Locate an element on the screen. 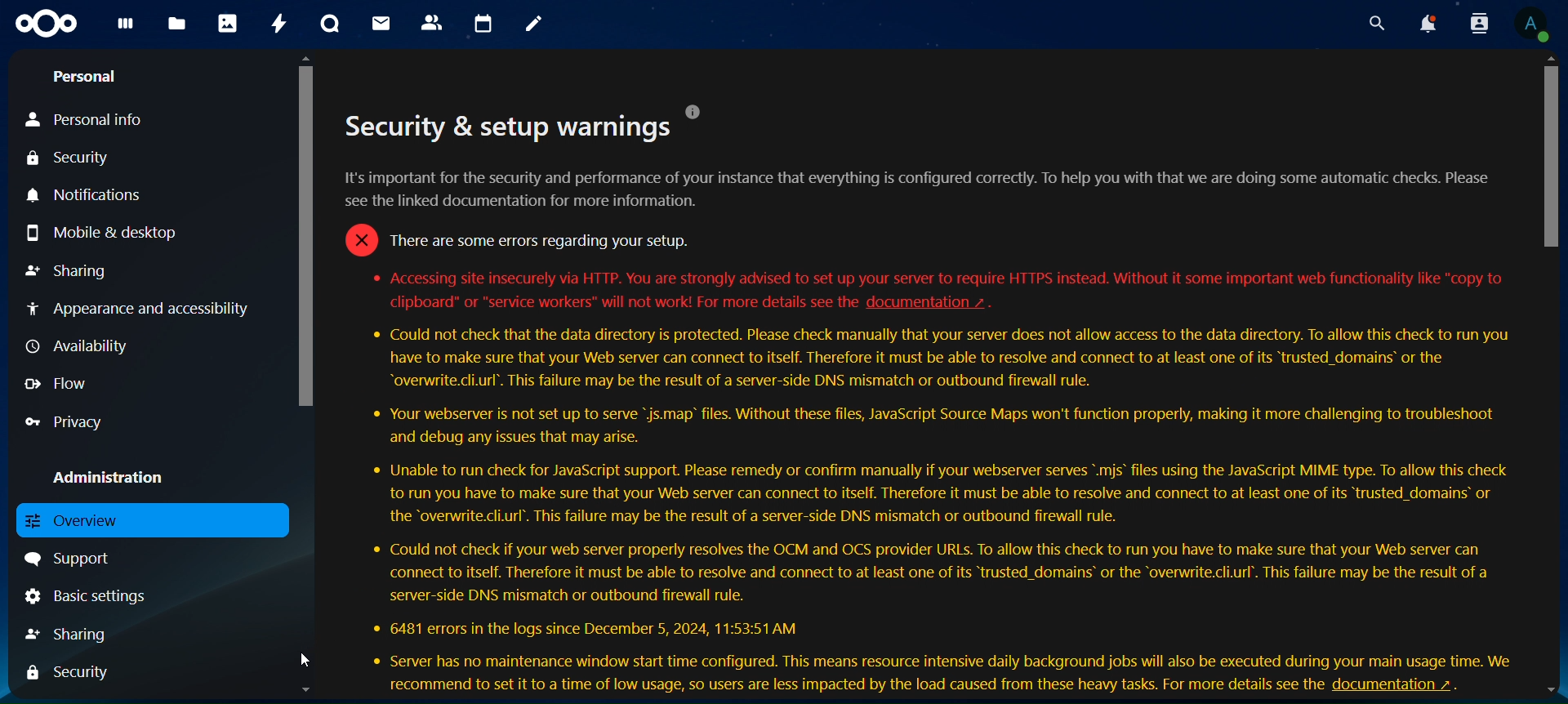 The height and width of the screenshot is (704, 1568). cursor is located at coordinates (301, 655).